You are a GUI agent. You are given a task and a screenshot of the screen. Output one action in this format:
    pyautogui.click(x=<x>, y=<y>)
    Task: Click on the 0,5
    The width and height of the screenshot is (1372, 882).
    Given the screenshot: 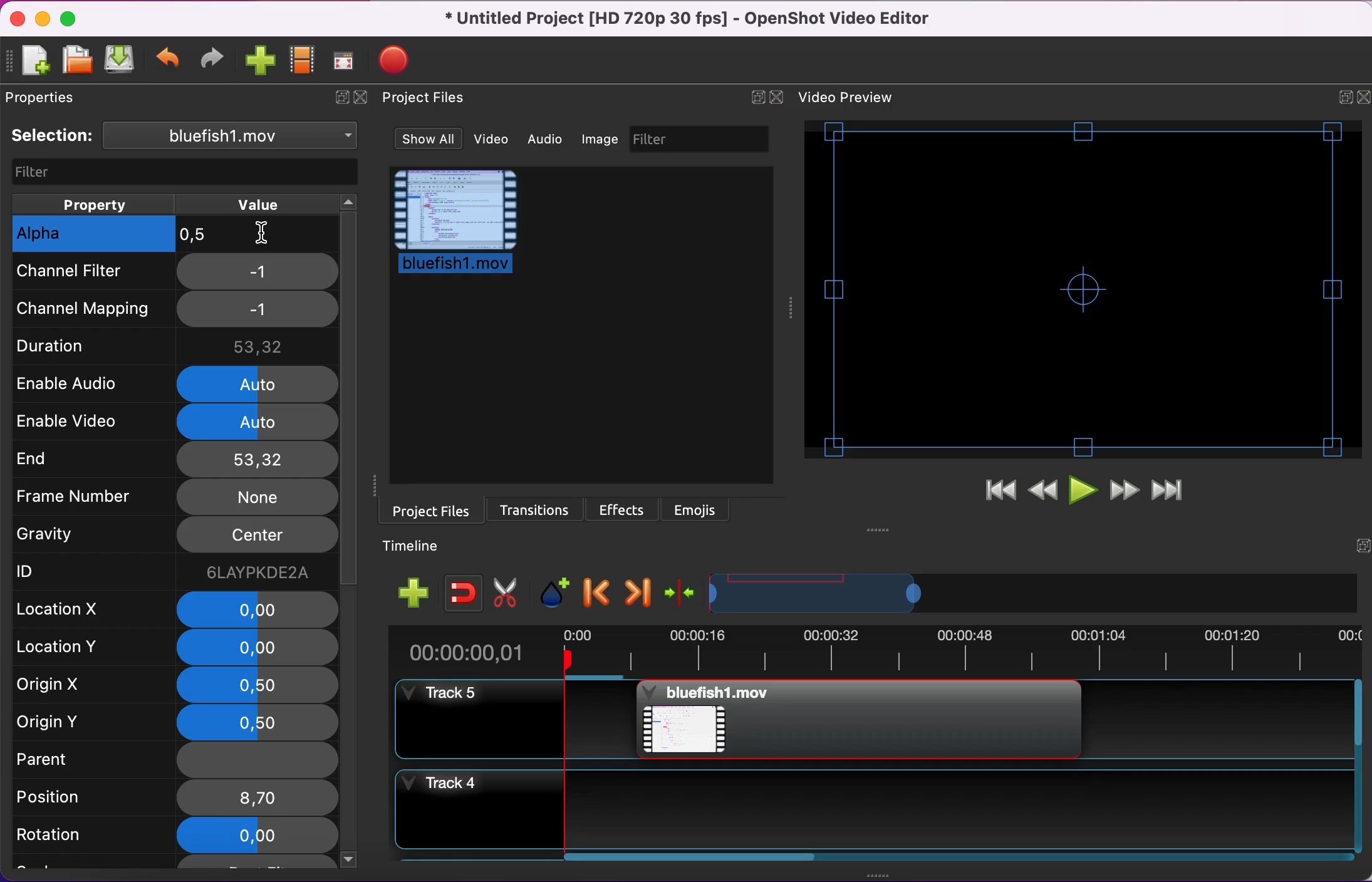 What is the action you would take?
    pyautogui.click(x=261, y=724)
    